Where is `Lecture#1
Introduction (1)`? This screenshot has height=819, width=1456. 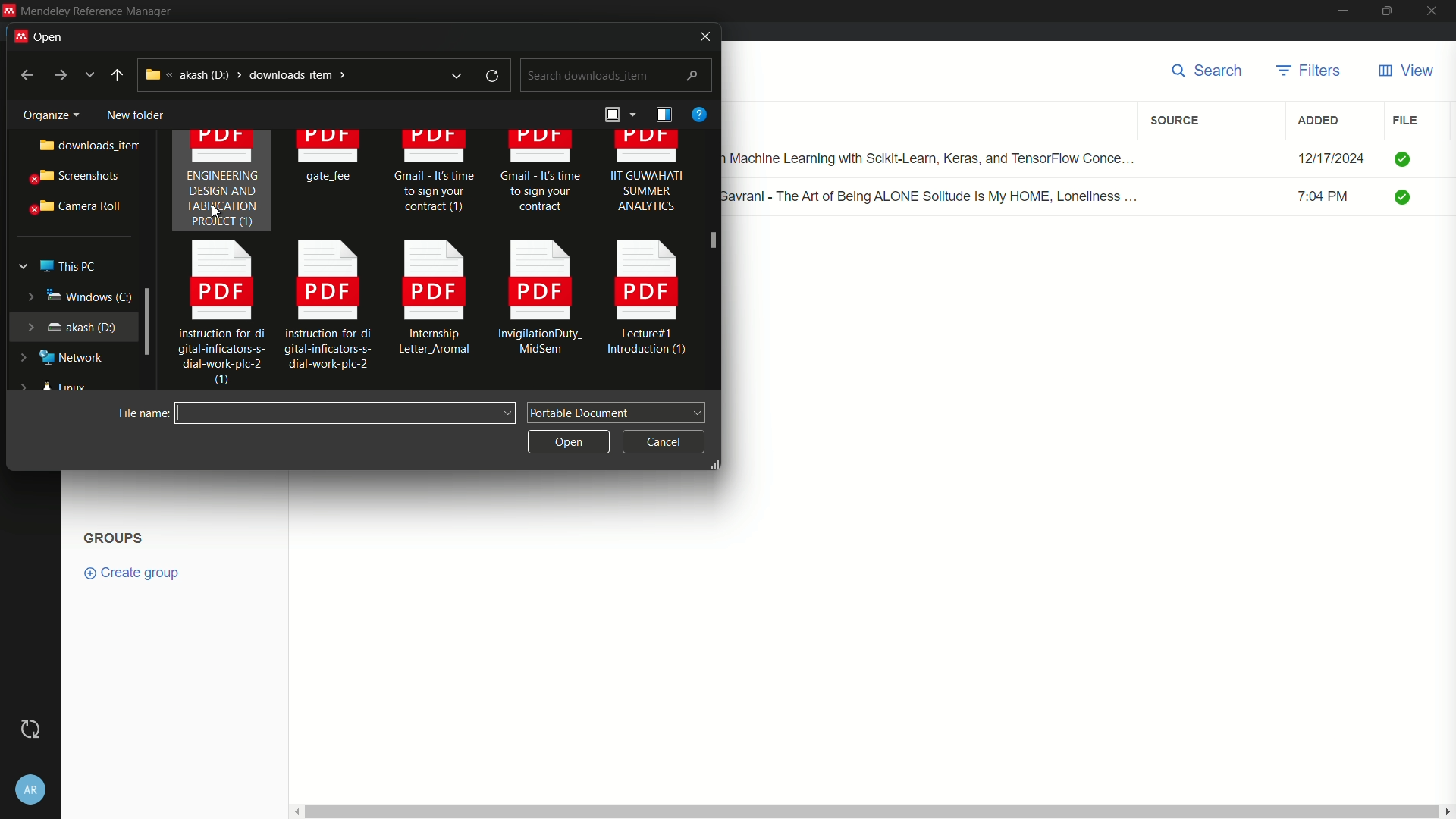 Lecture#1
Introduction (1) is located at coordinates (649, 302).